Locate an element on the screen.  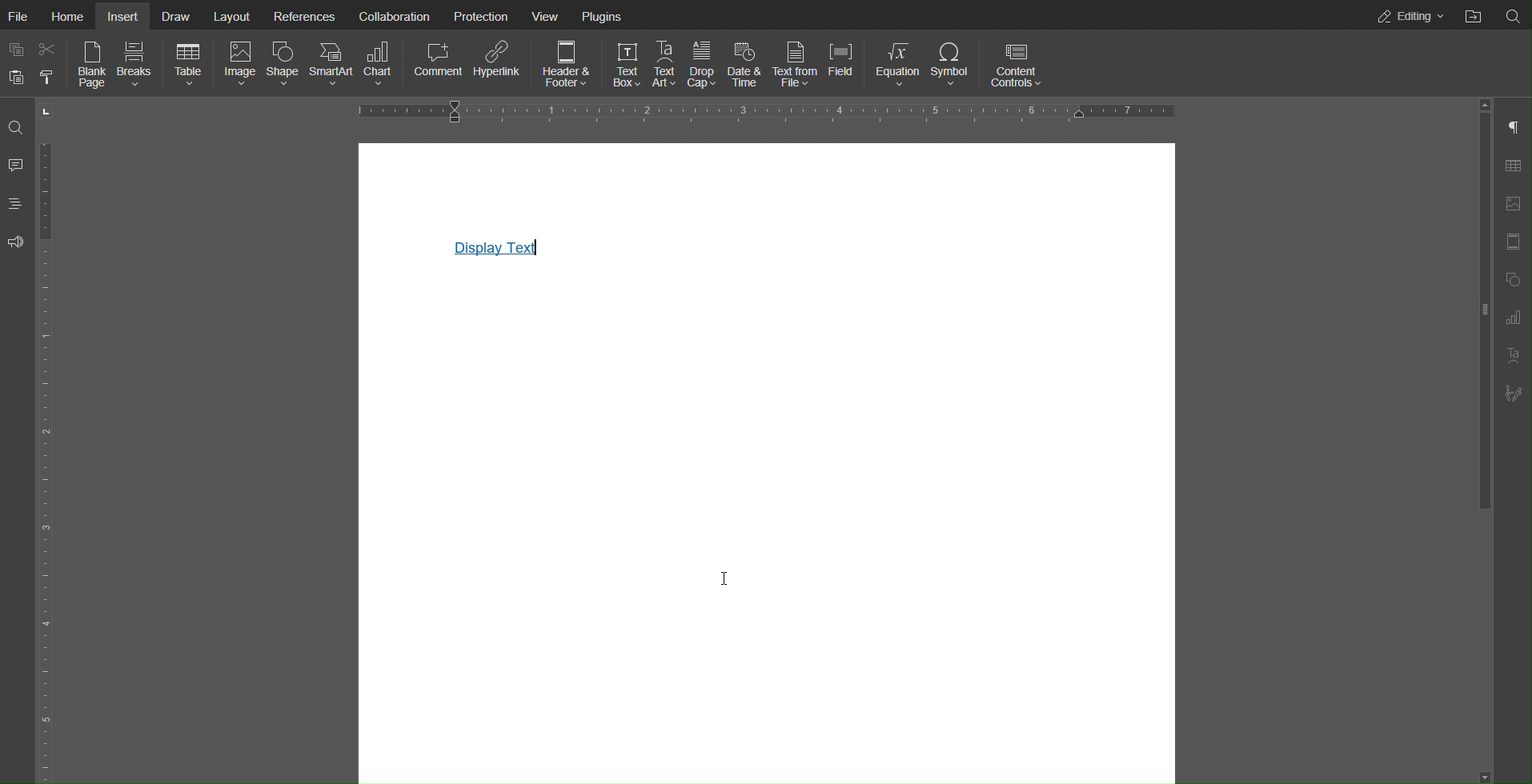
Copy Paste Options is located at coordinates (30, 64).